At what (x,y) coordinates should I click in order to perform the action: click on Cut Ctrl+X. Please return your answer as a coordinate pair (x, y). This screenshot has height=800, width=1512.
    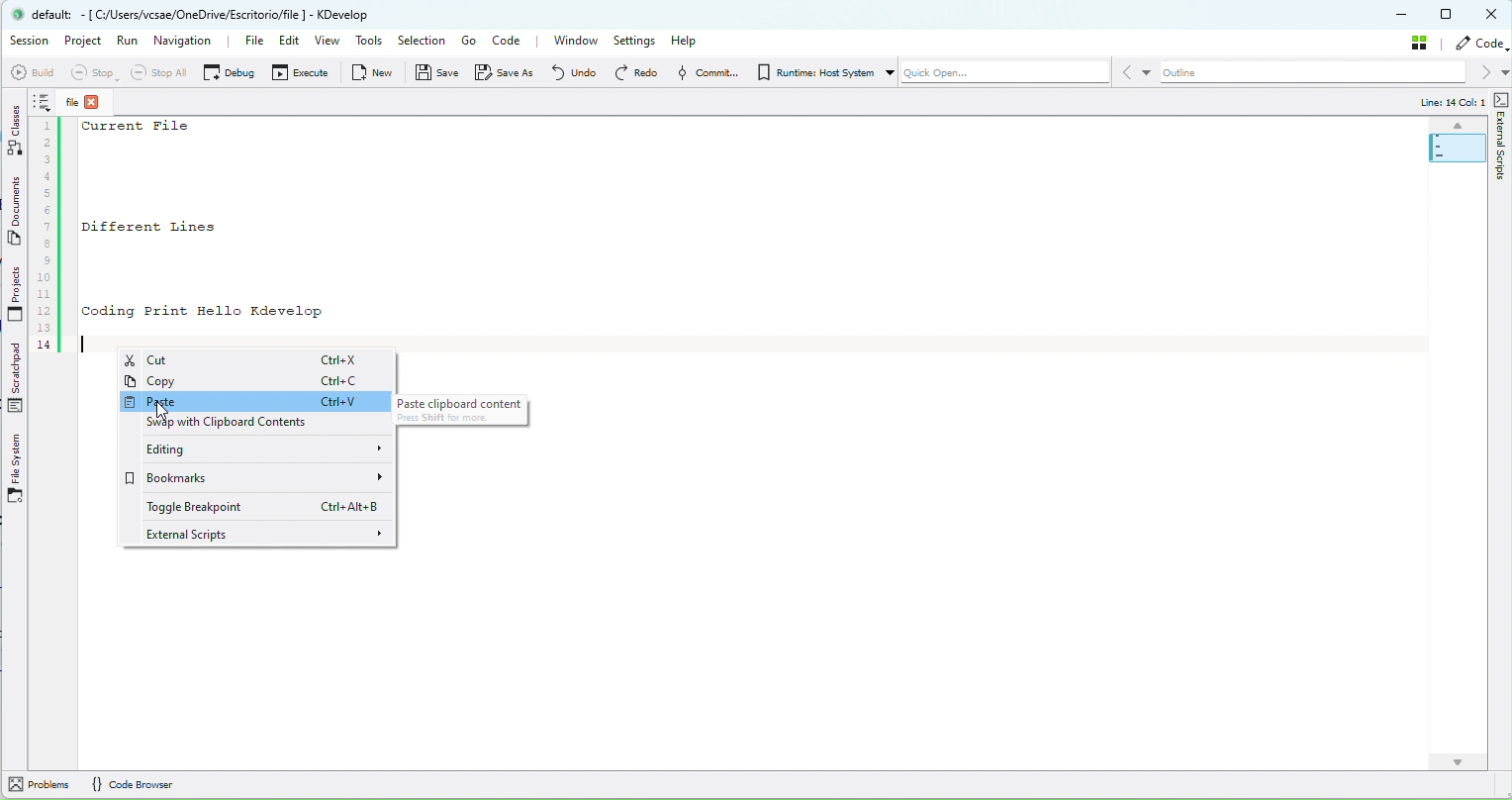
    Looking at the image, I should click on (256, 360).